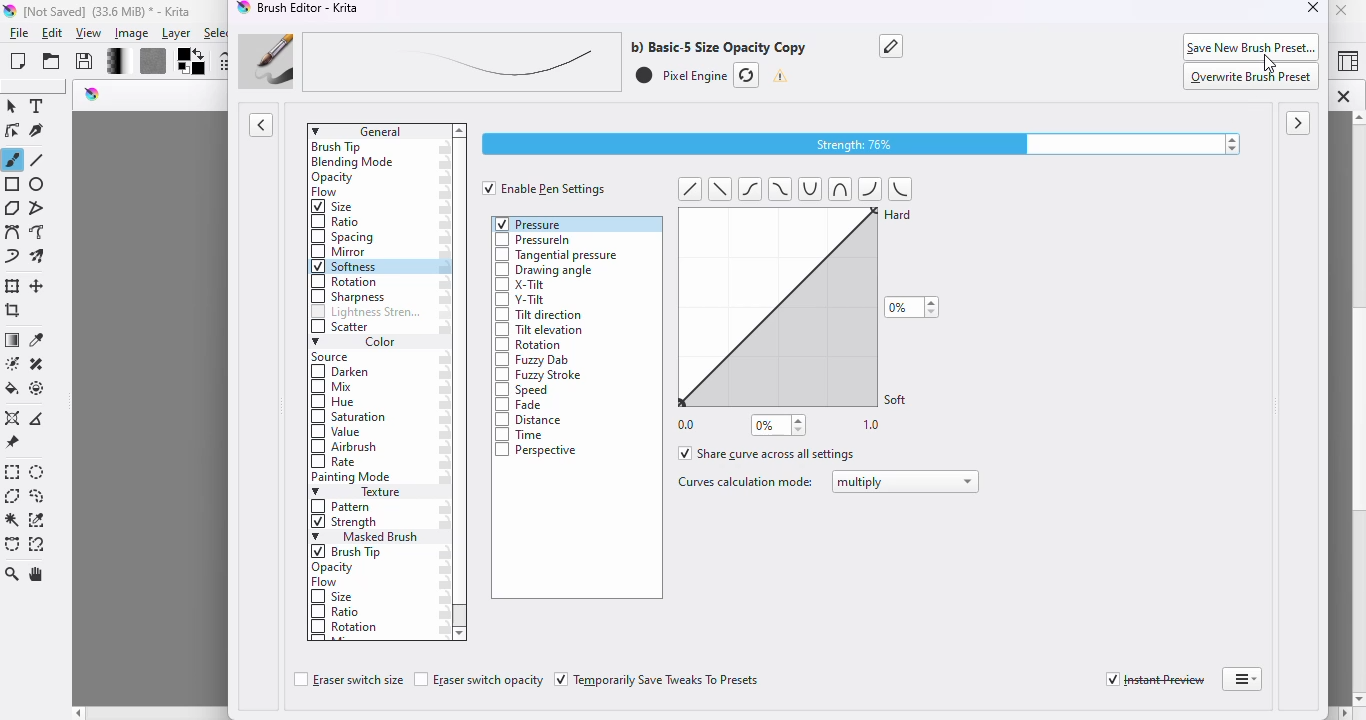  What do you see at coordinates (13, 544) in the screenshot?
I see `bezier curve selection tool` at bounding box center [13, 544].